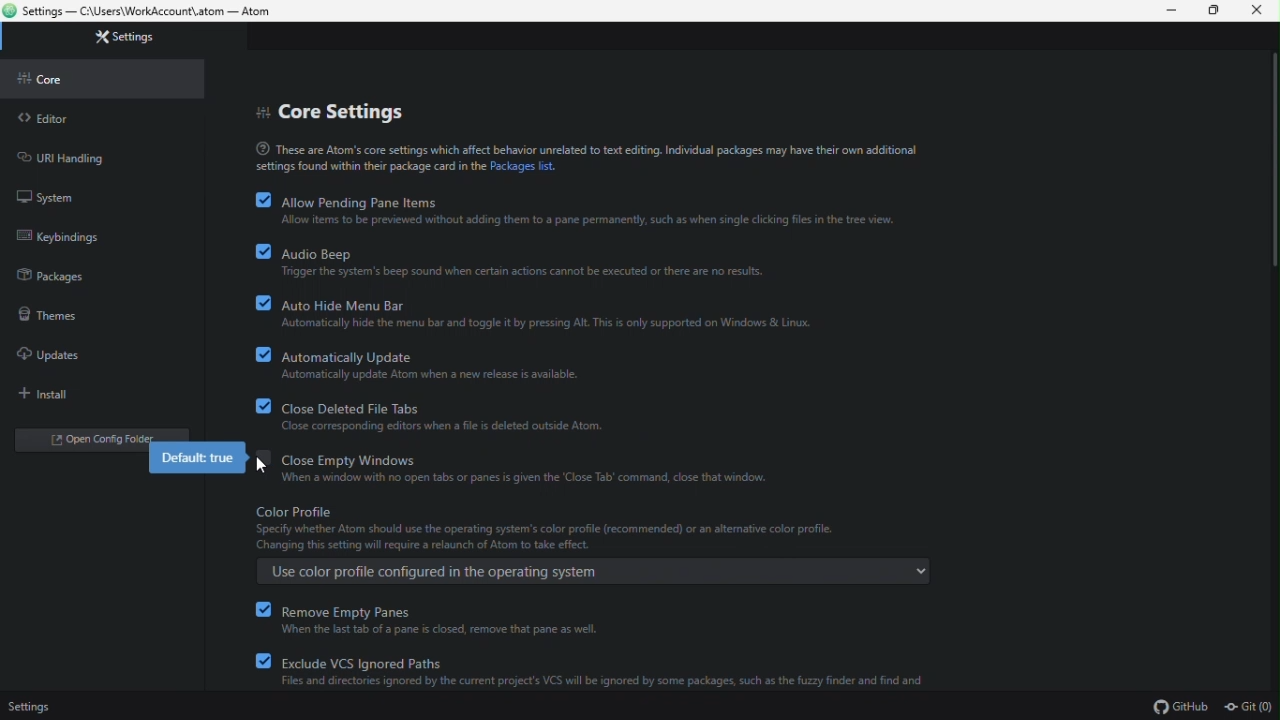 The image size is (1280, 720). What do you see at coordinates (610, 675) in the screenshot?
I see `exclude VCS ignored paths` at bounding box center [610, 675].